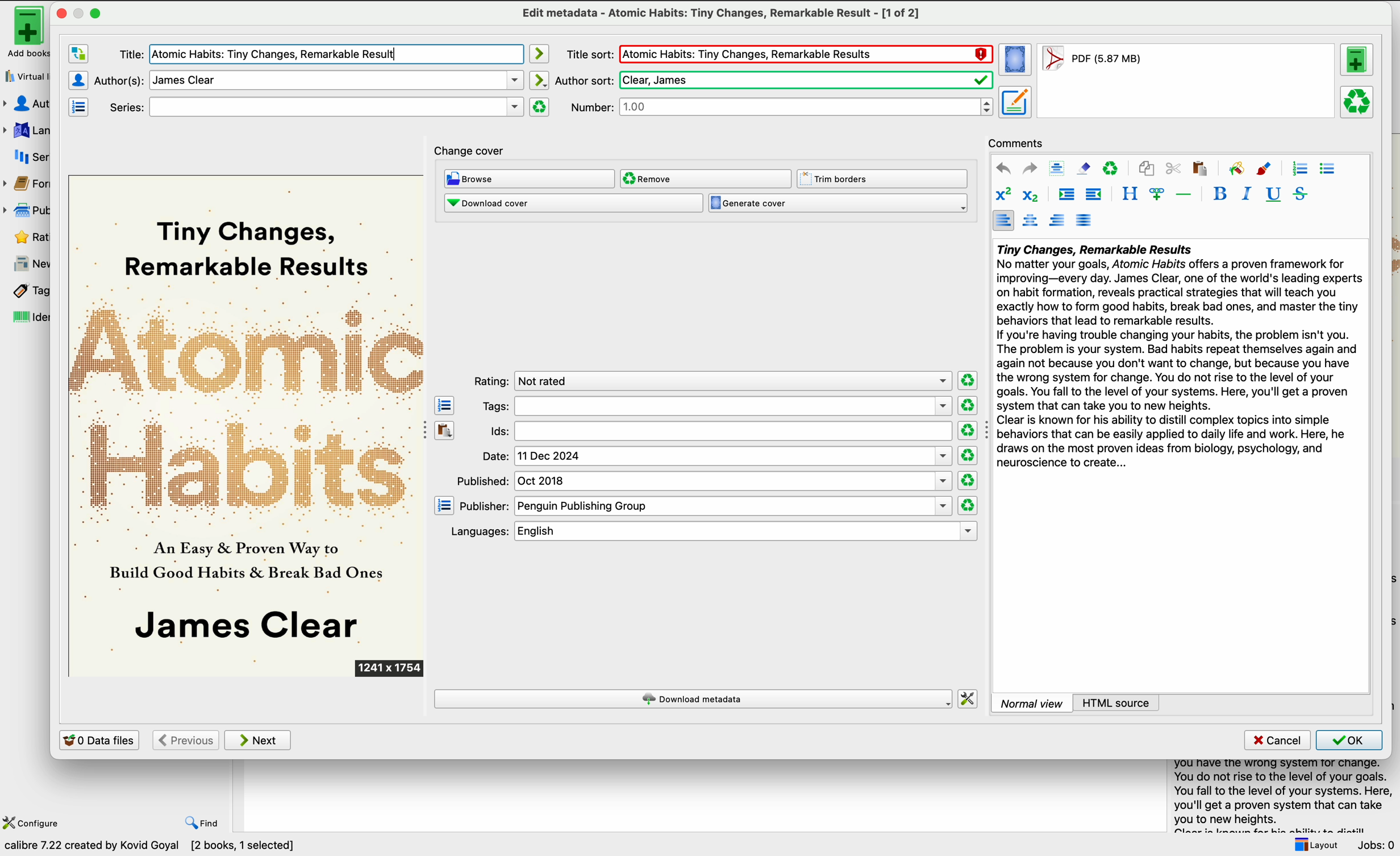  I want to click on add books, so click(23, 32).